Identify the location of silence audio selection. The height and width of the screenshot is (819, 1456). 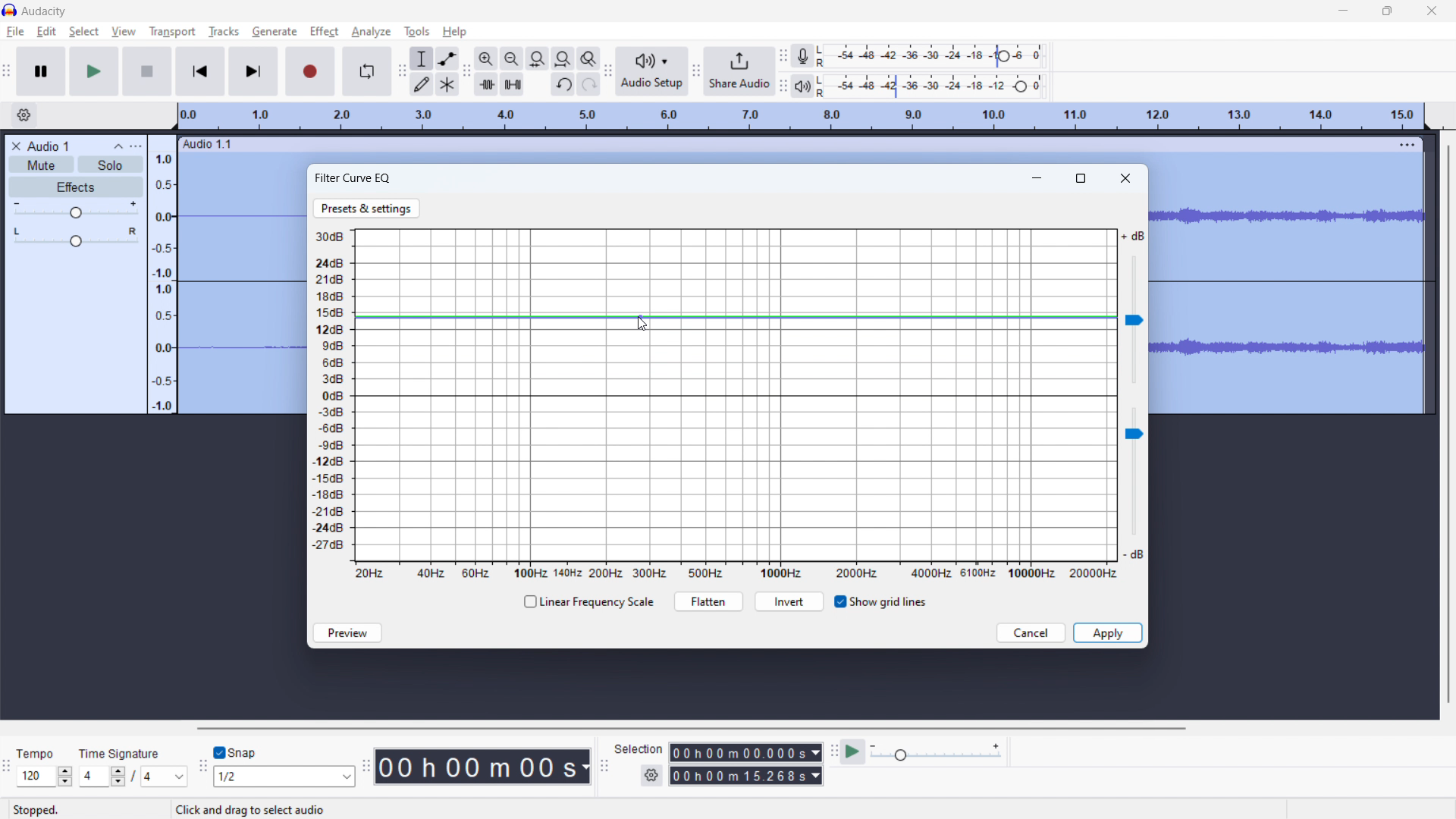
(513, 84).